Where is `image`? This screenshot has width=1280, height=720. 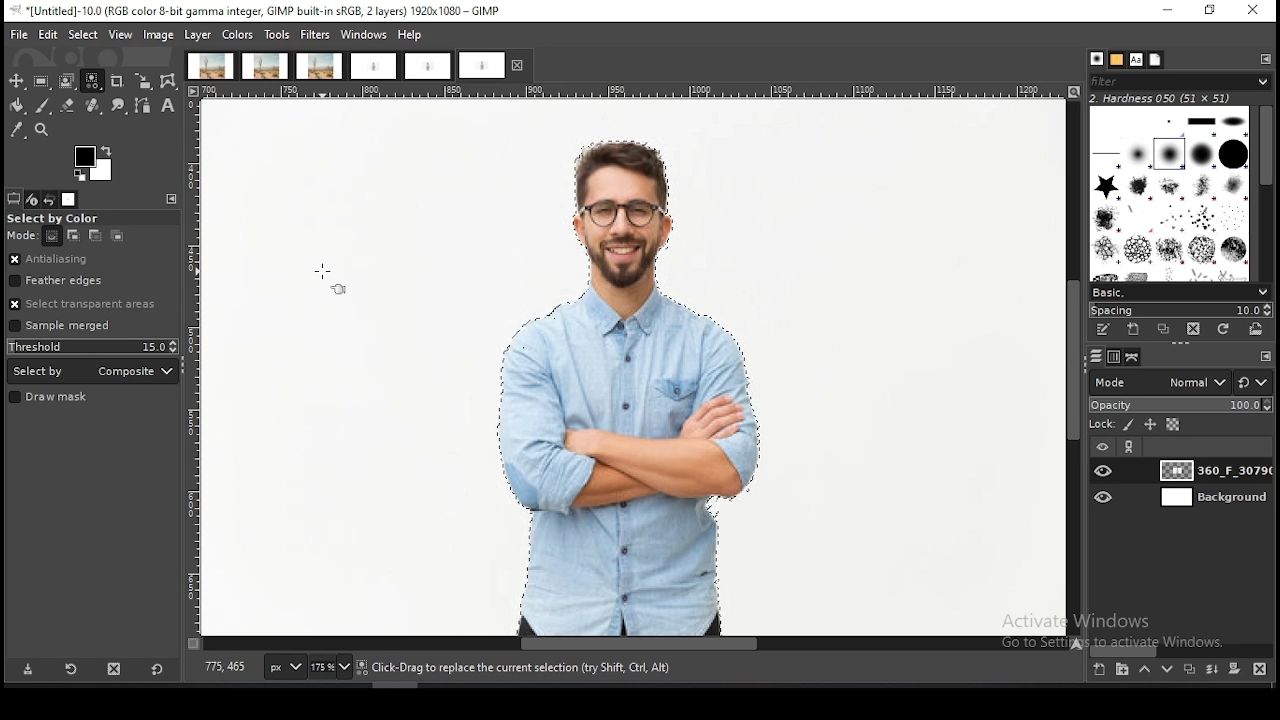
image is located at coordinates (158, 36).